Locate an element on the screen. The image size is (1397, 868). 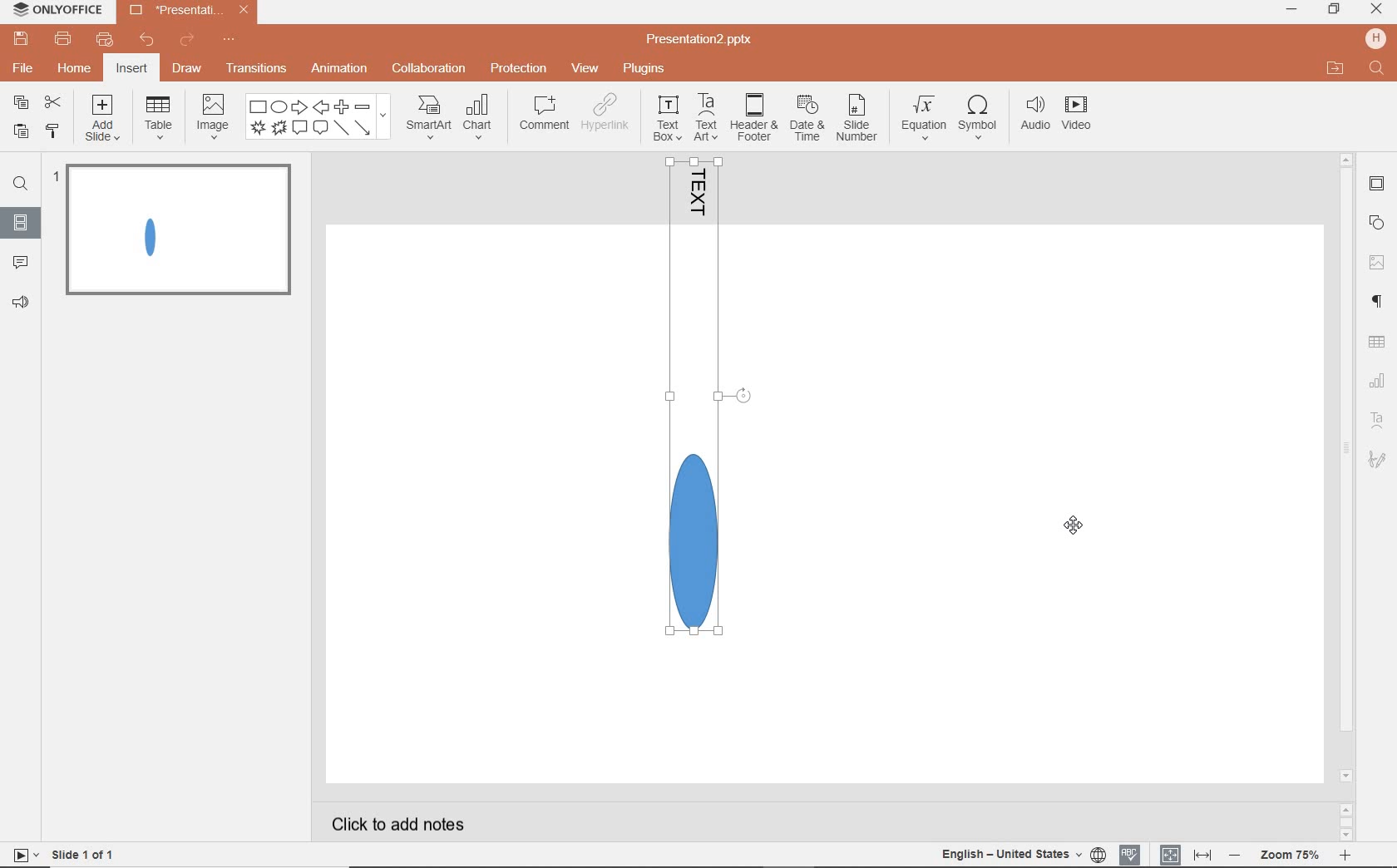
draw is located at coordinates (190, 68).